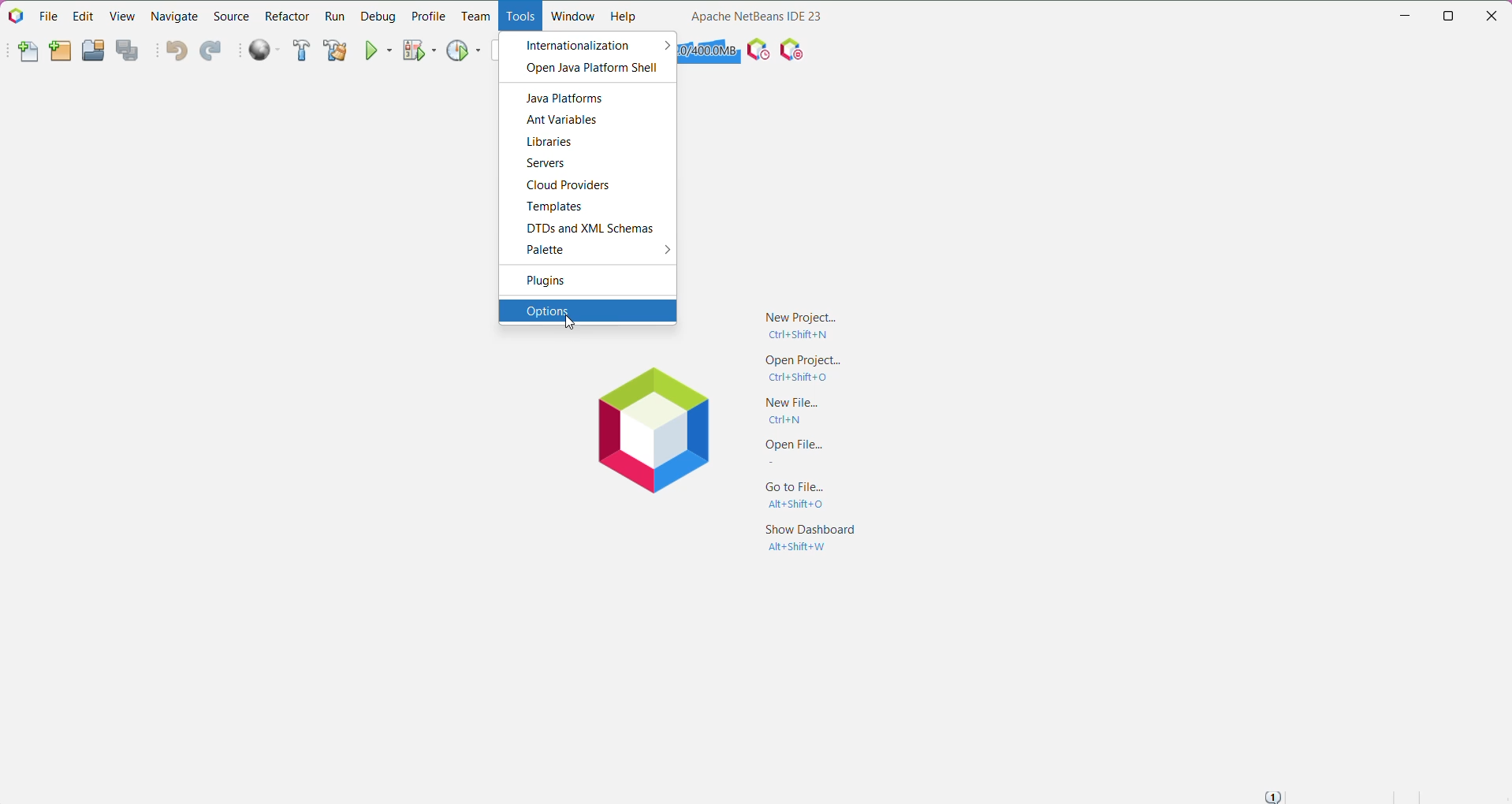  Describe the element at coordinates (572, 16) in the screenshot. I see `Window` at that location.